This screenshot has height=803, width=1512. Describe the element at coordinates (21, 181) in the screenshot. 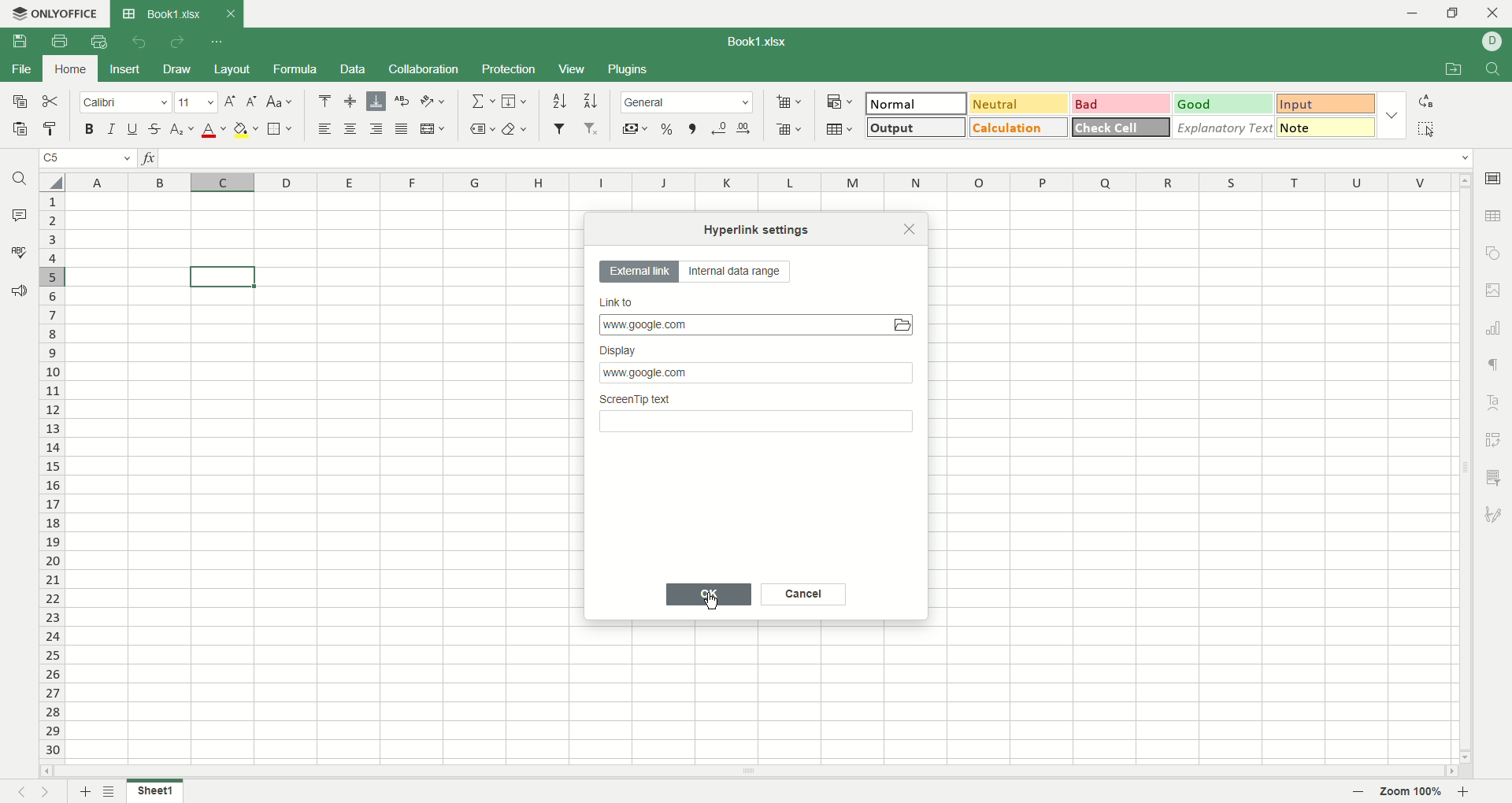

I see `search` at that location.